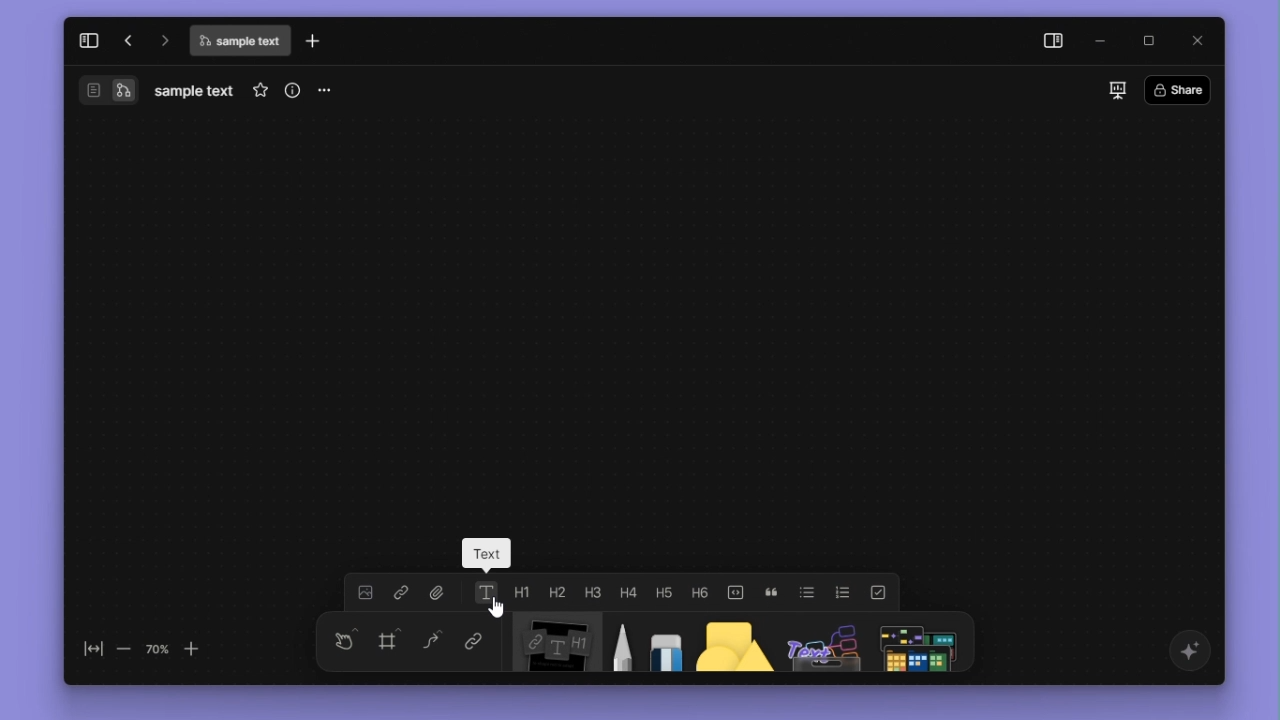 The image size is (1280, 720). I want to click on Note N, so click(555, 642).